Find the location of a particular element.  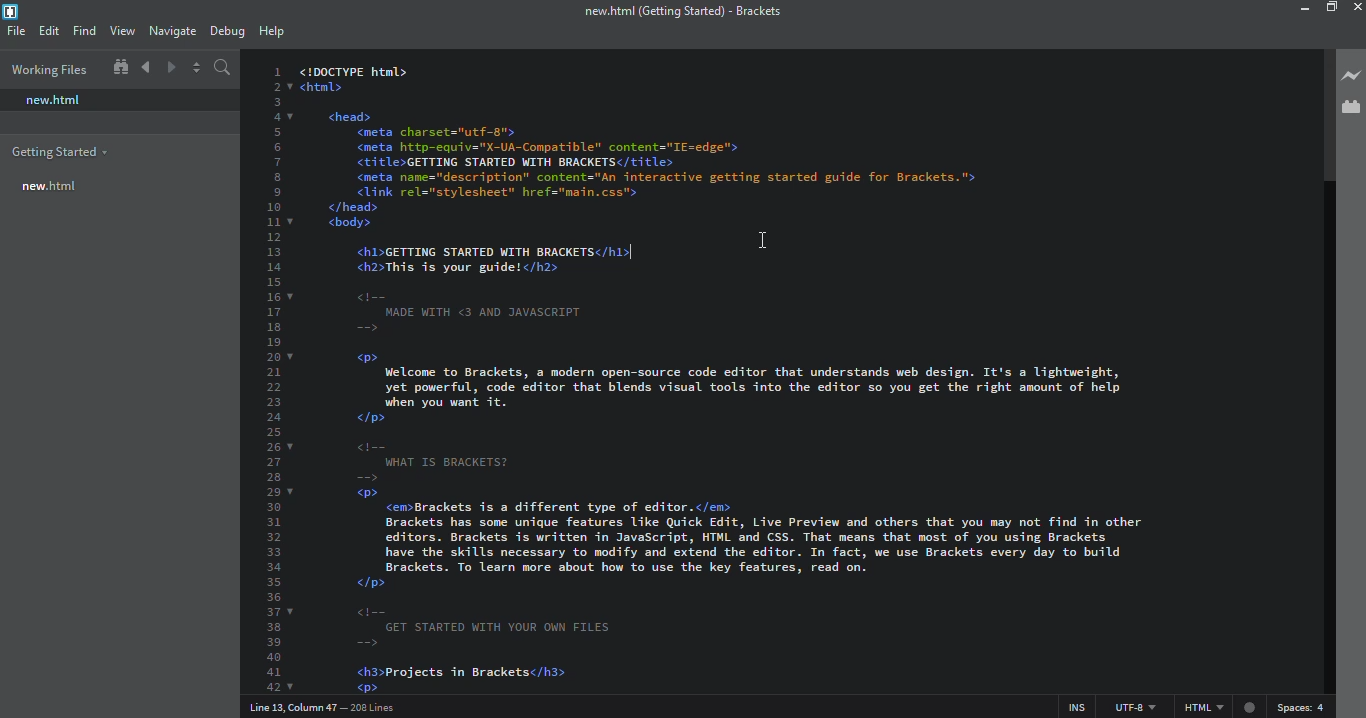

html is located at coordinates (1218, 708).